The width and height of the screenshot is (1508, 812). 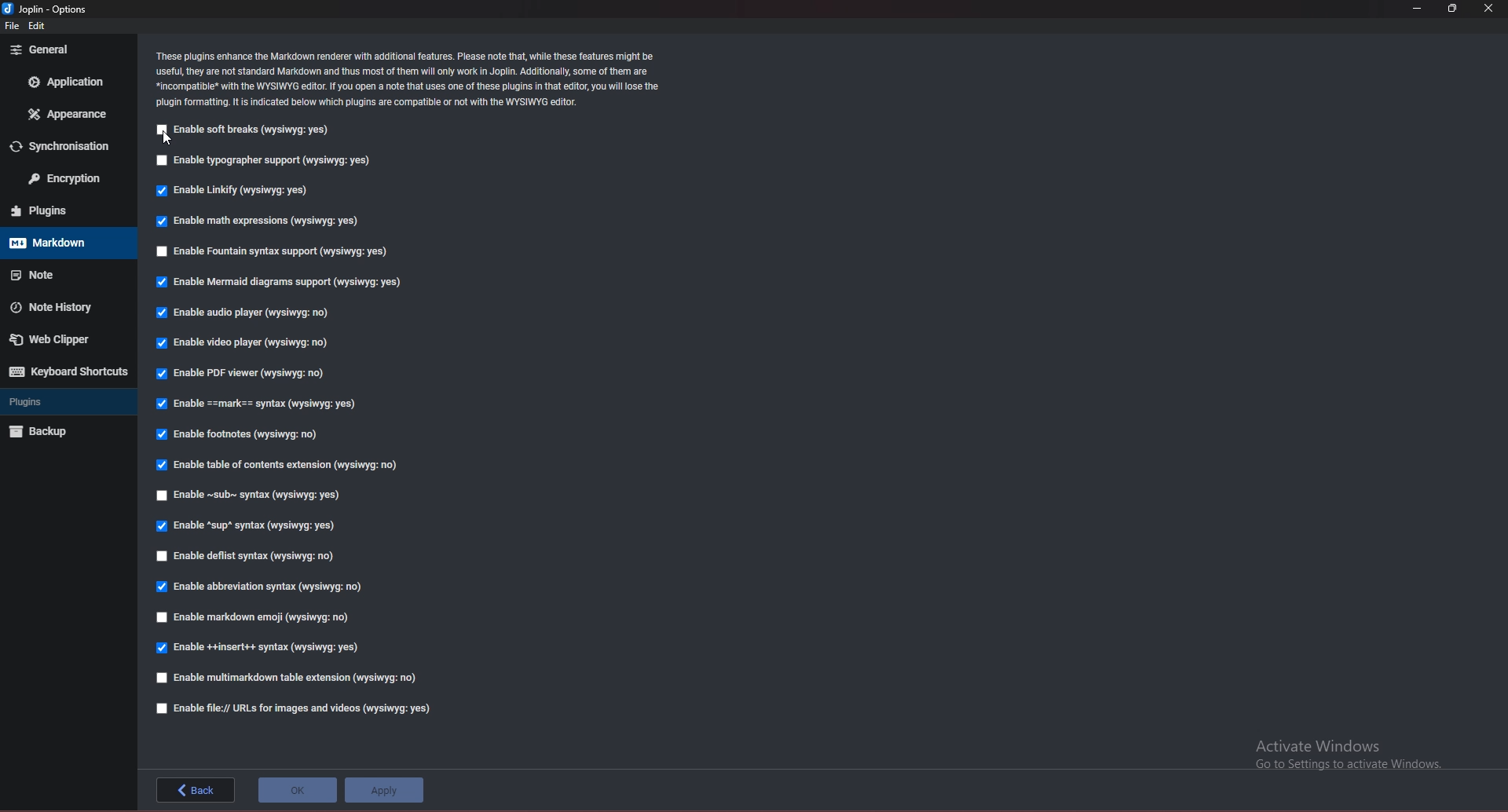 What do you see at coordinates (260, 648) in the screenshot?
I see `enable insert syntax` at bounding box center [260, 648].